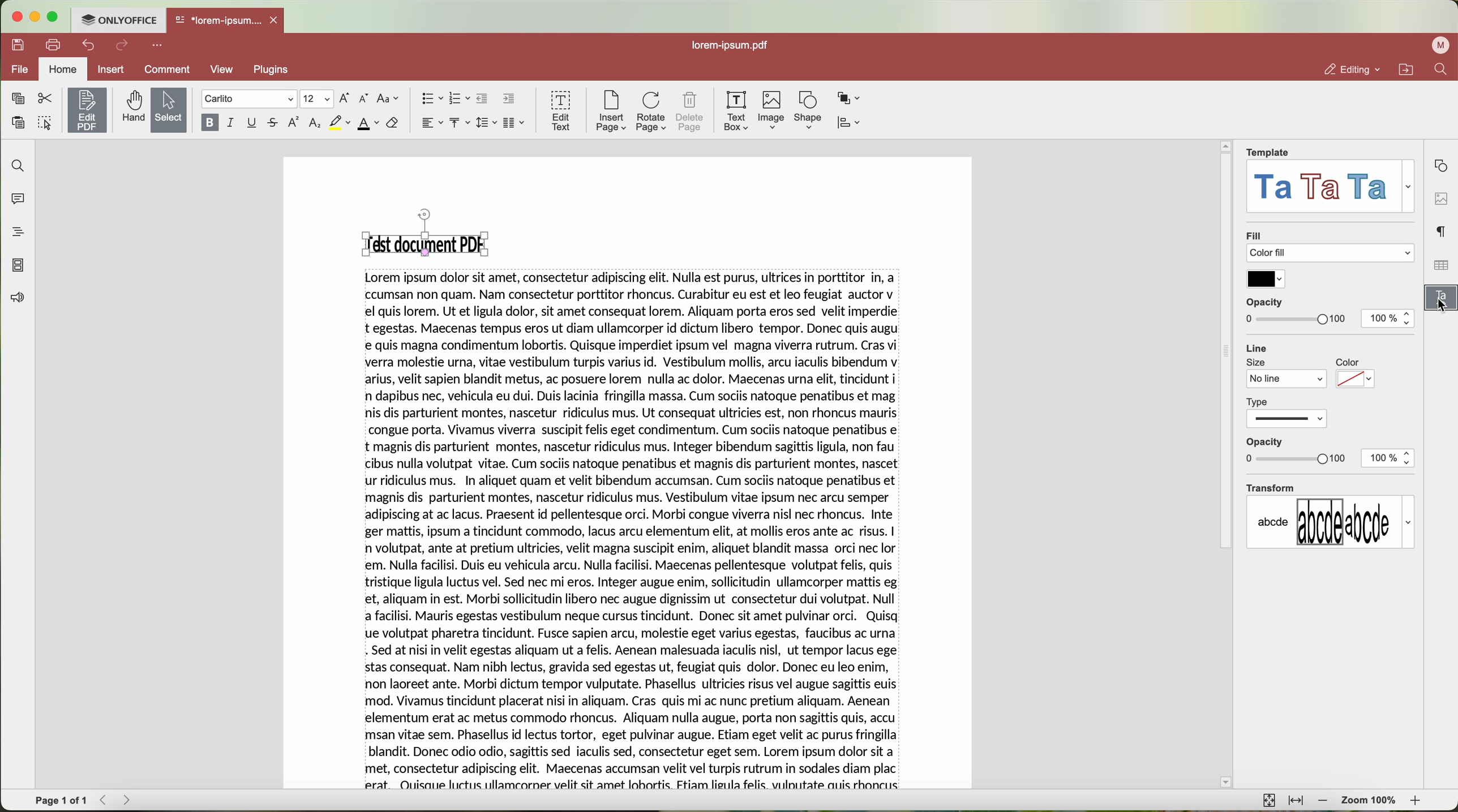 The width and height of the screenshot is (1458, 812). Describe the element at coordinates (1442, 46) in the screenshot. I see `profile user` at that location.